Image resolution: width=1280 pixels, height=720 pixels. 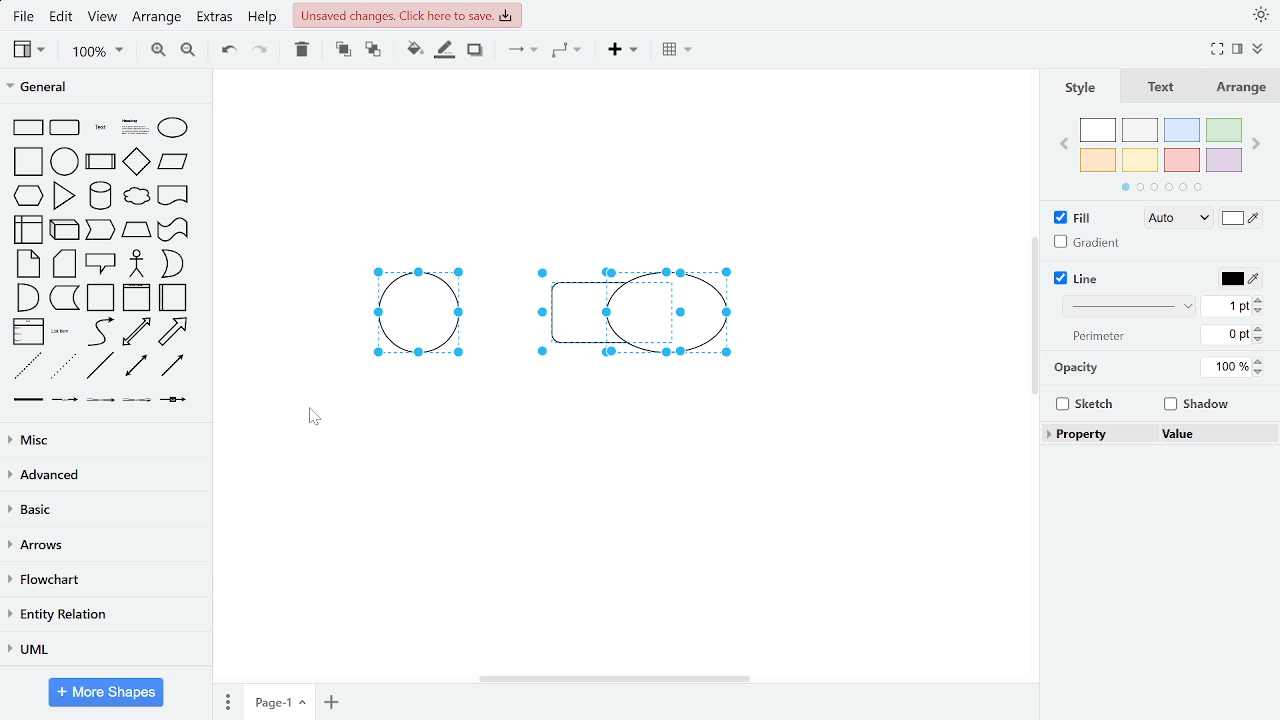 What do you see at coordinates (186, 52) in the screenshot?
I see `zoom out` at bounding box center [186, 52].